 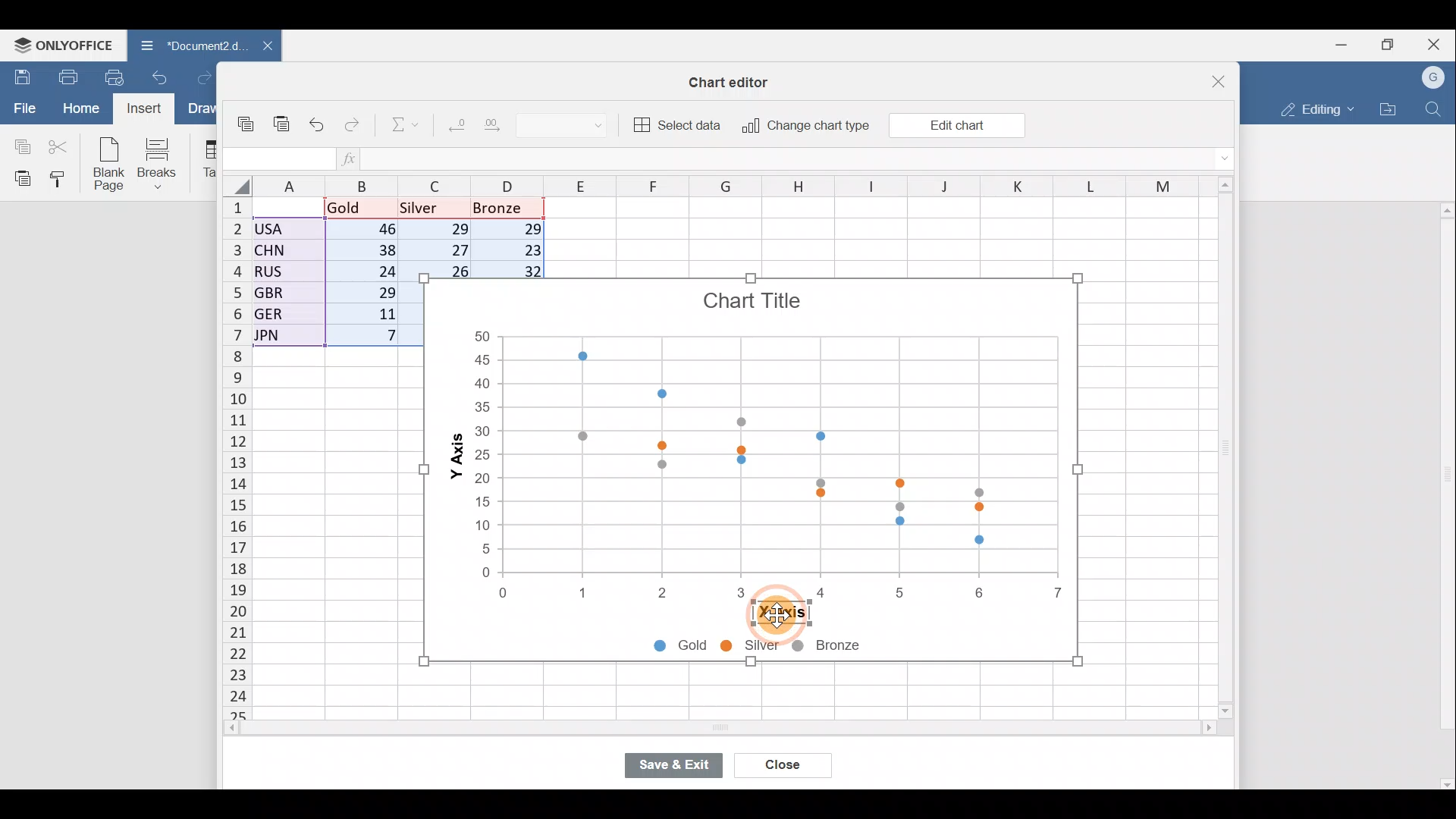 I want to click on Chart image, so click(x=749, y=447).